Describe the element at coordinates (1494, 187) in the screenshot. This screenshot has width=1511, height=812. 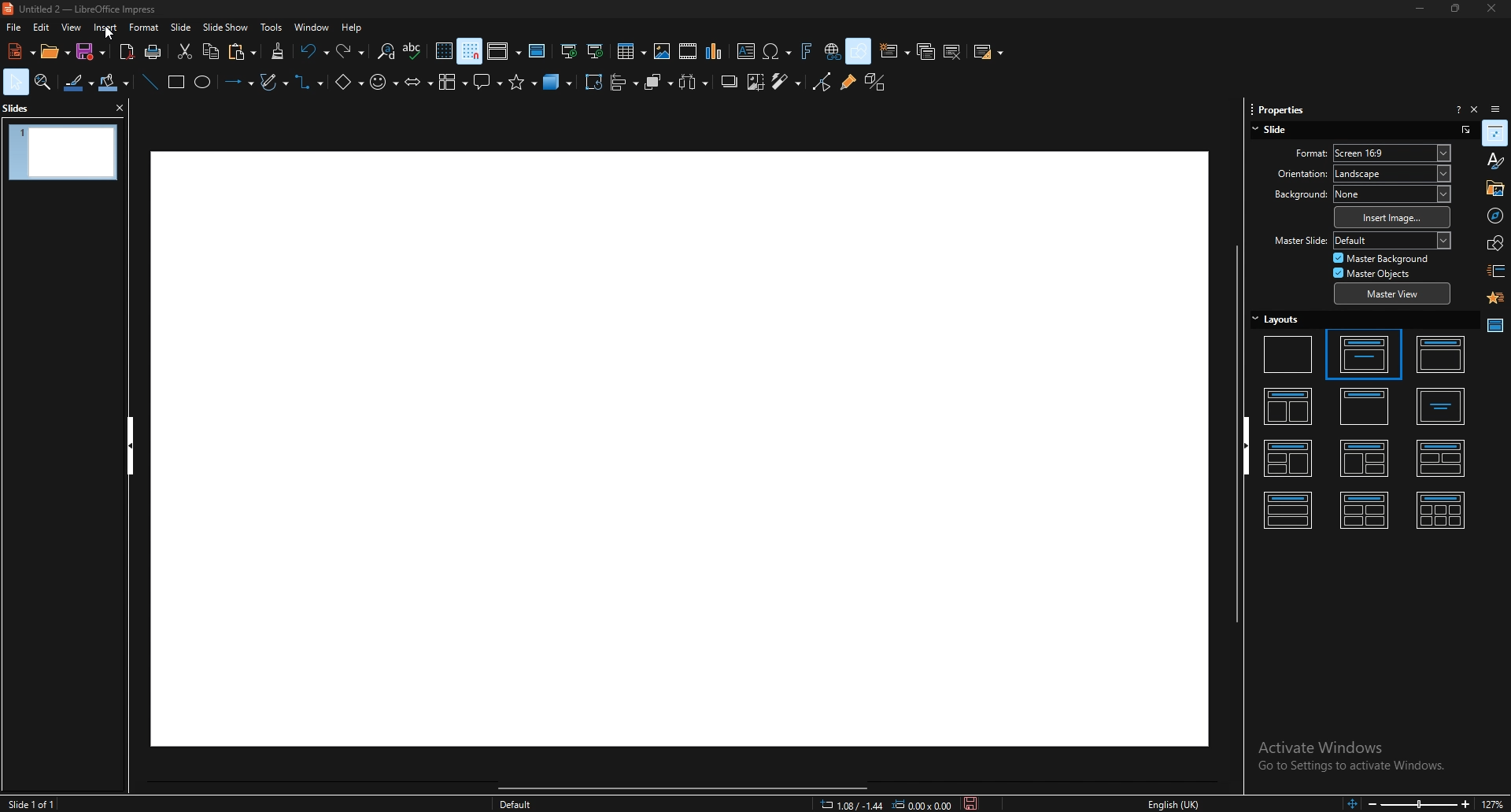
I see `gallery` at that location.